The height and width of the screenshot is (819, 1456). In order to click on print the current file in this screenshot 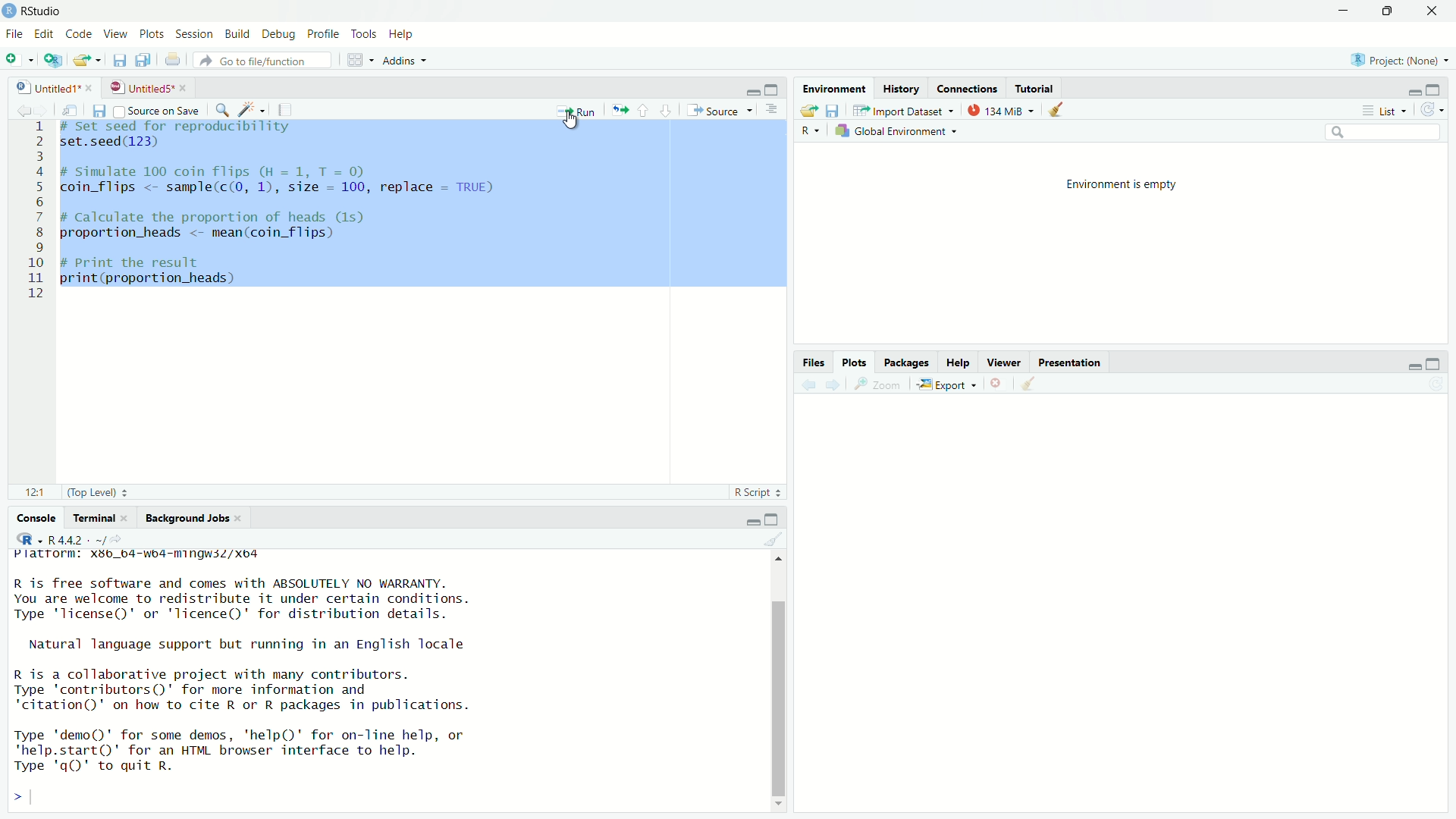, I will do `click(171, 61)`.